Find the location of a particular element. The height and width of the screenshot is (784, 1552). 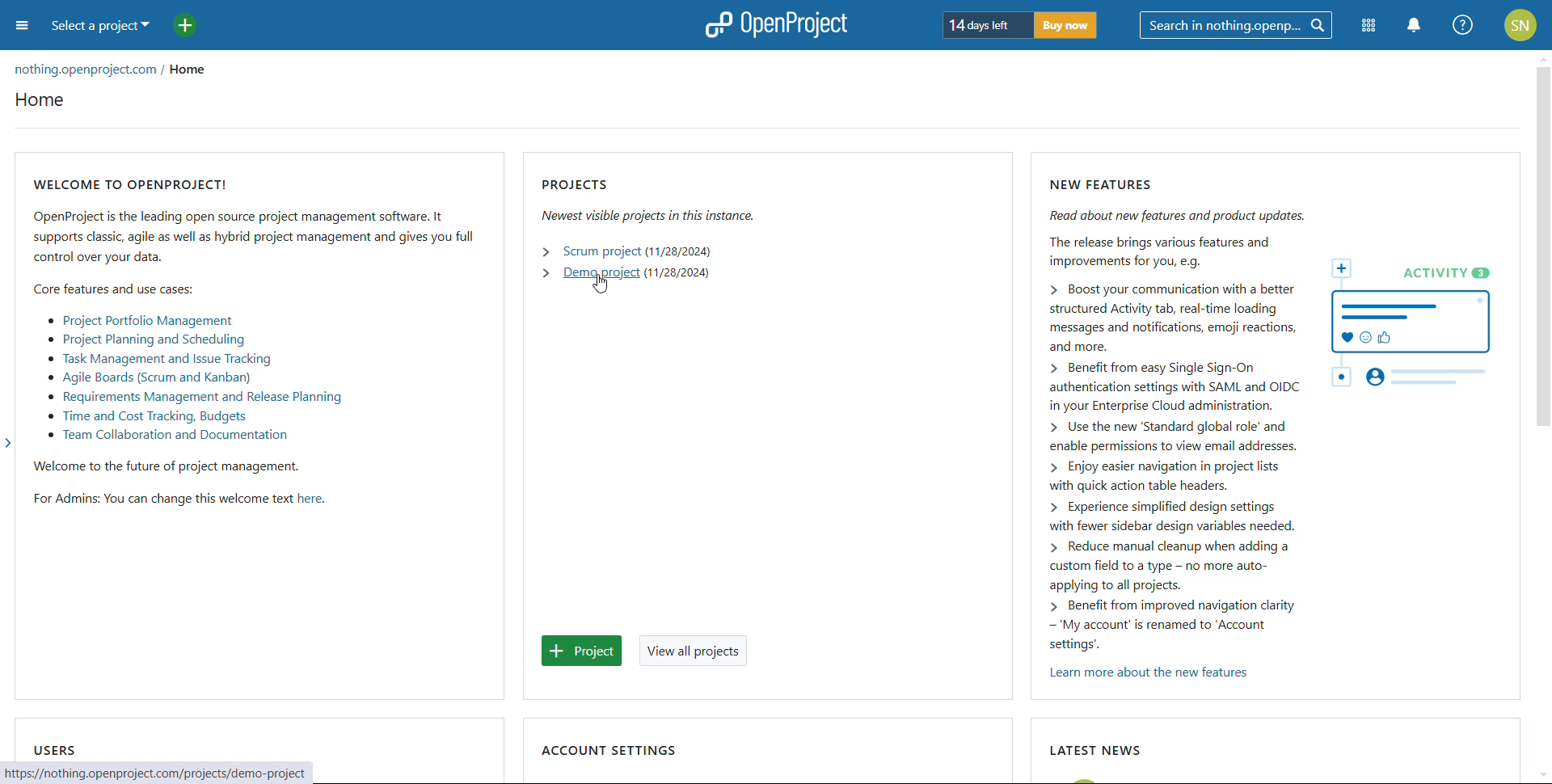

view all projects is located at coordinates (694, 651).